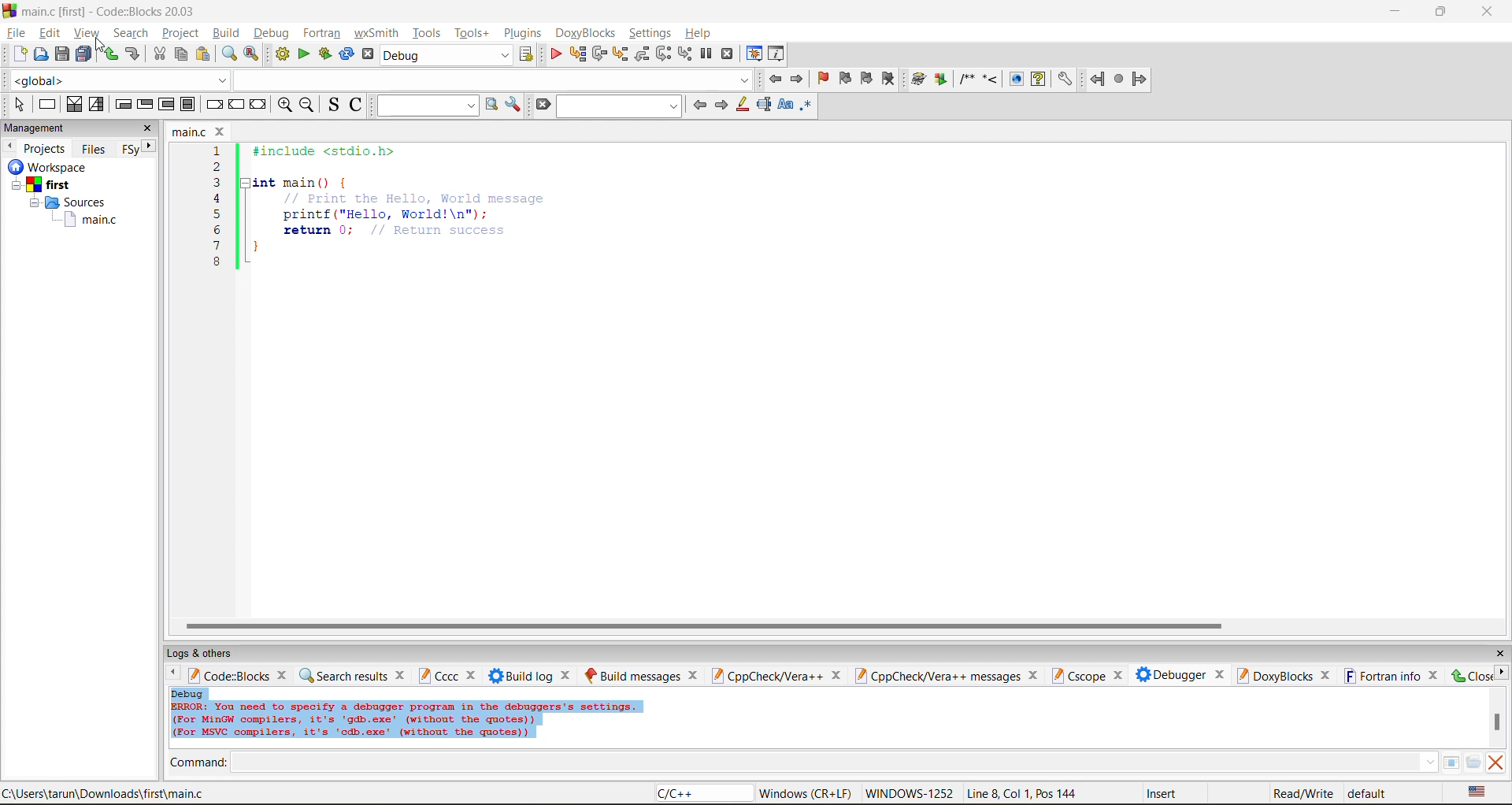  What do you see at coordinates (427, 106) in the screenshot?
I see `text to search` at bounding box center [427, 106].